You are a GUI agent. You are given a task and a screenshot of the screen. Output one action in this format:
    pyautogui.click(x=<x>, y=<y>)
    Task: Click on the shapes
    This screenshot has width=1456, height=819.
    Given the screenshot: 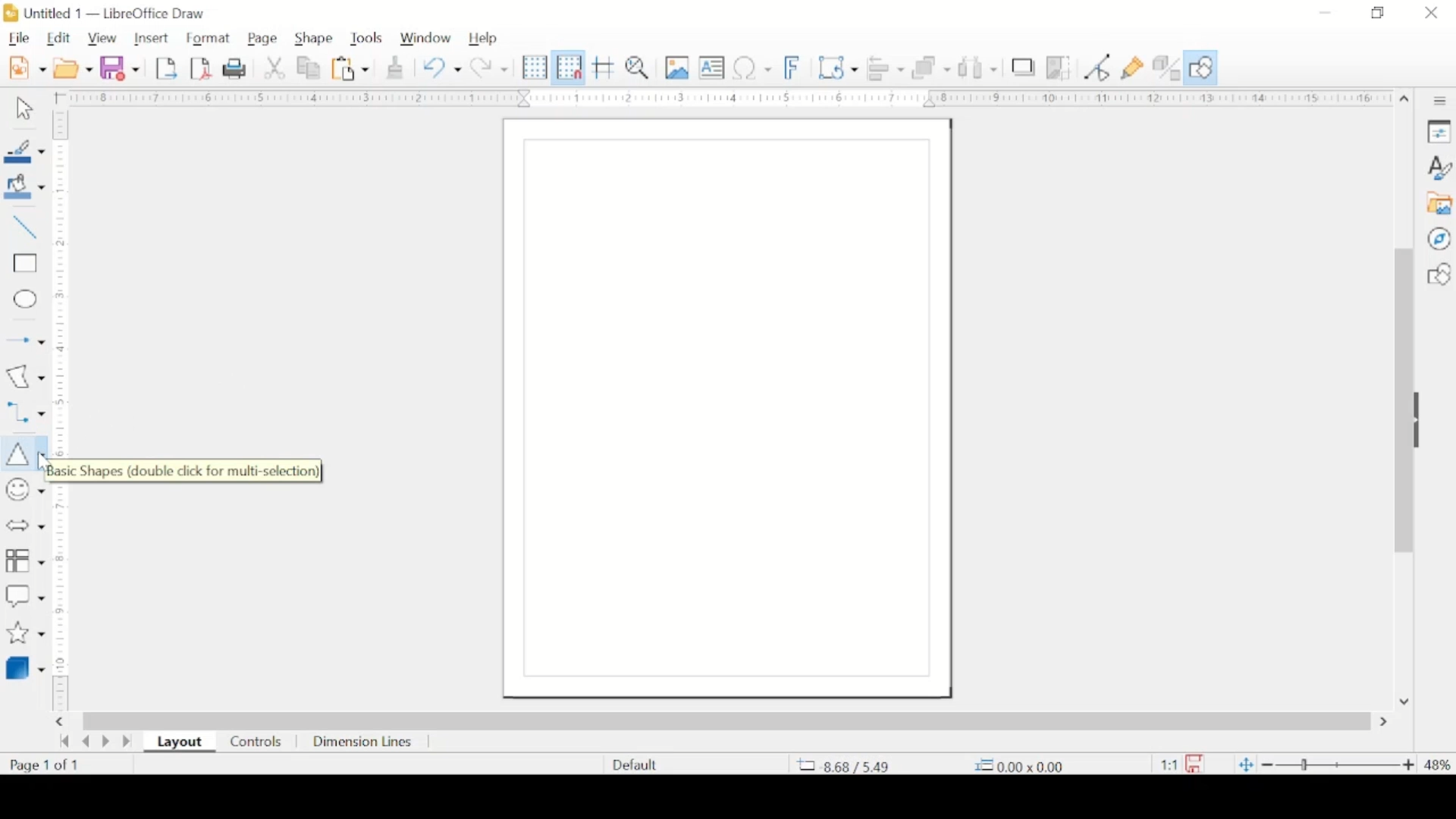 What is the action you would take?
    pyautogui.click(x=1439, y=275)
    